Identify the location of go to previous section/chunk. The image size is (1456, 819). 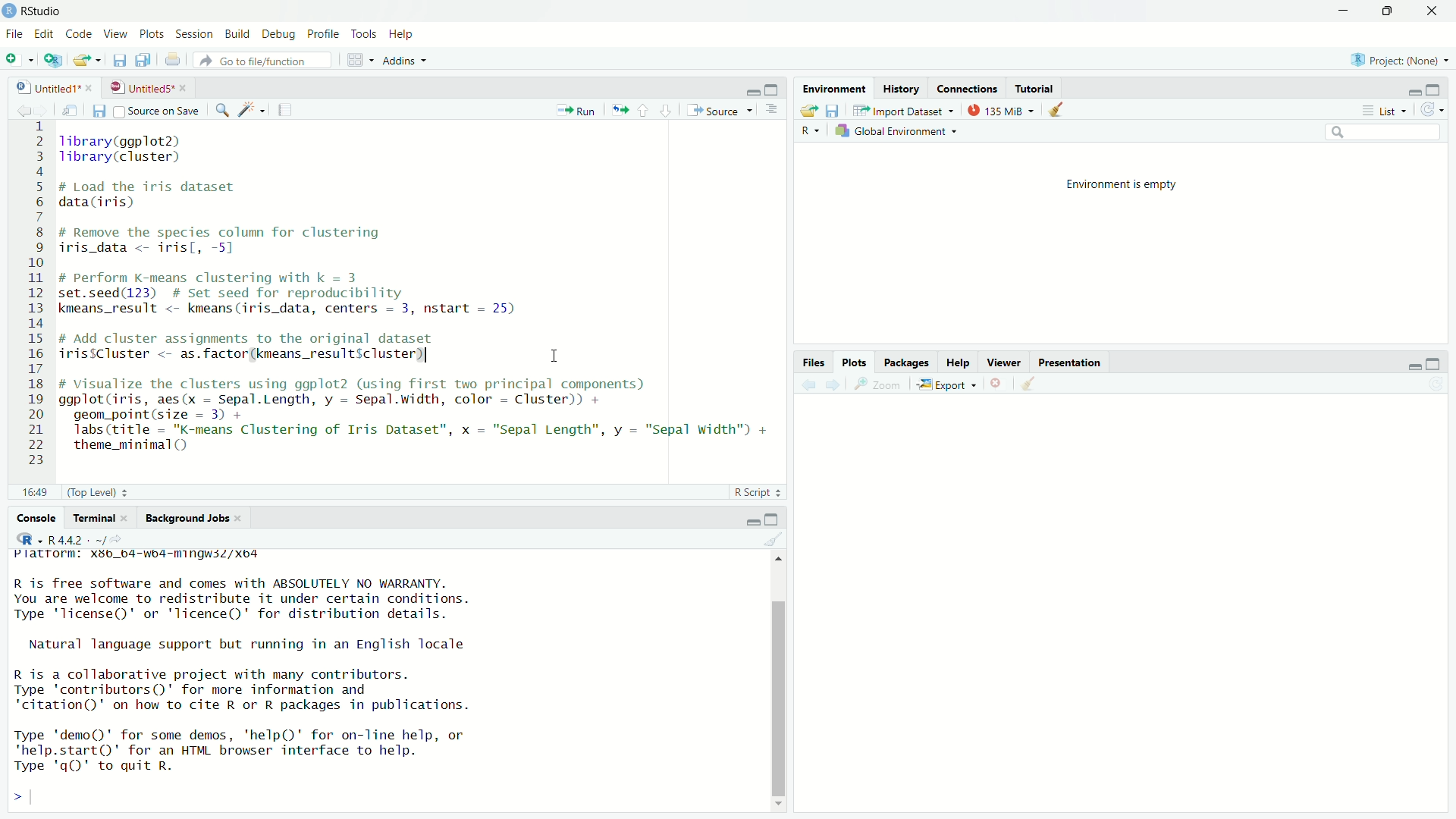
(645, 108).